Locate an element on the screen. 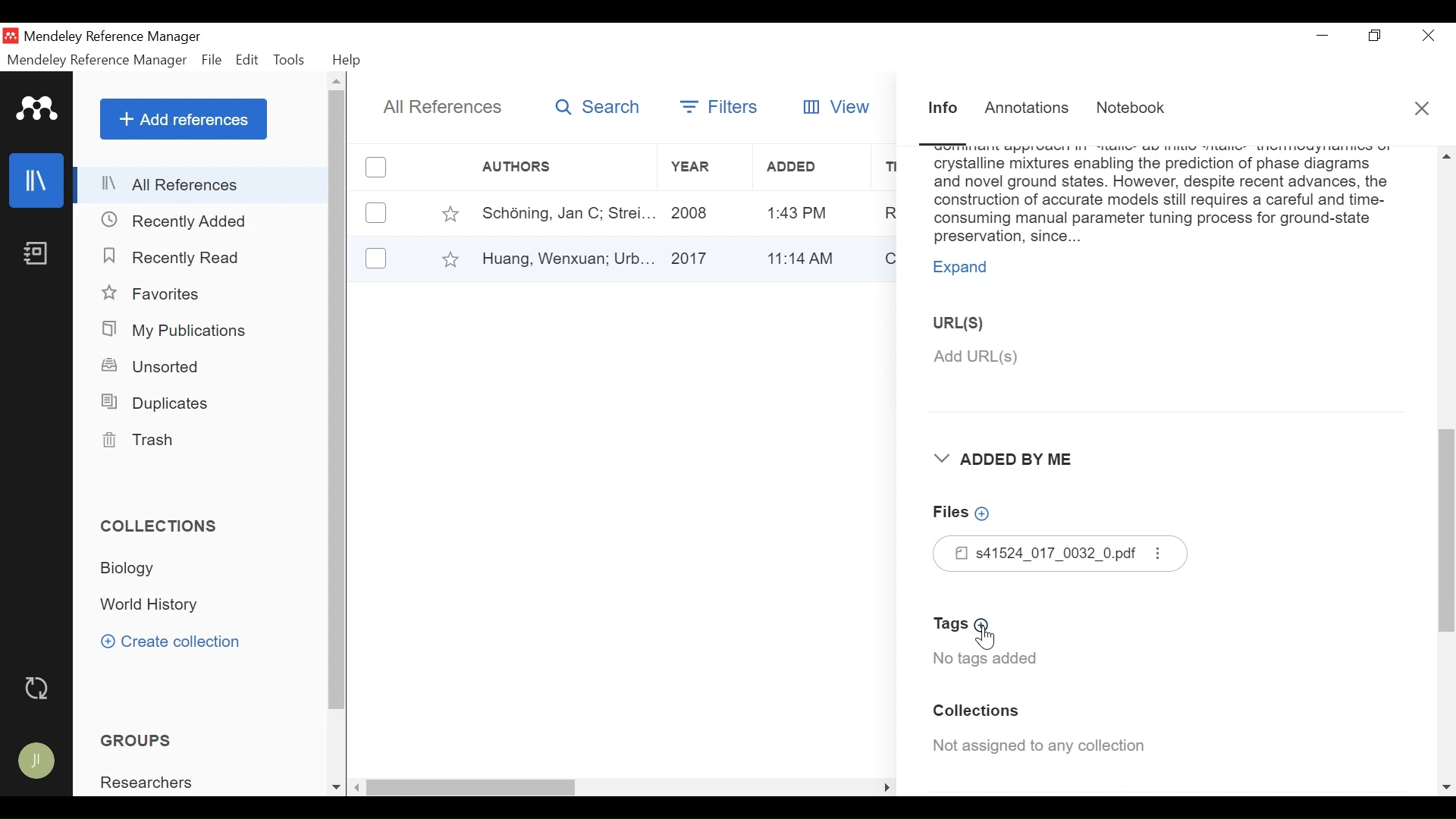 Image resolution: width=1456 pixels, height=819 pixels. Scroll down is located at coordinates (1447, 789).